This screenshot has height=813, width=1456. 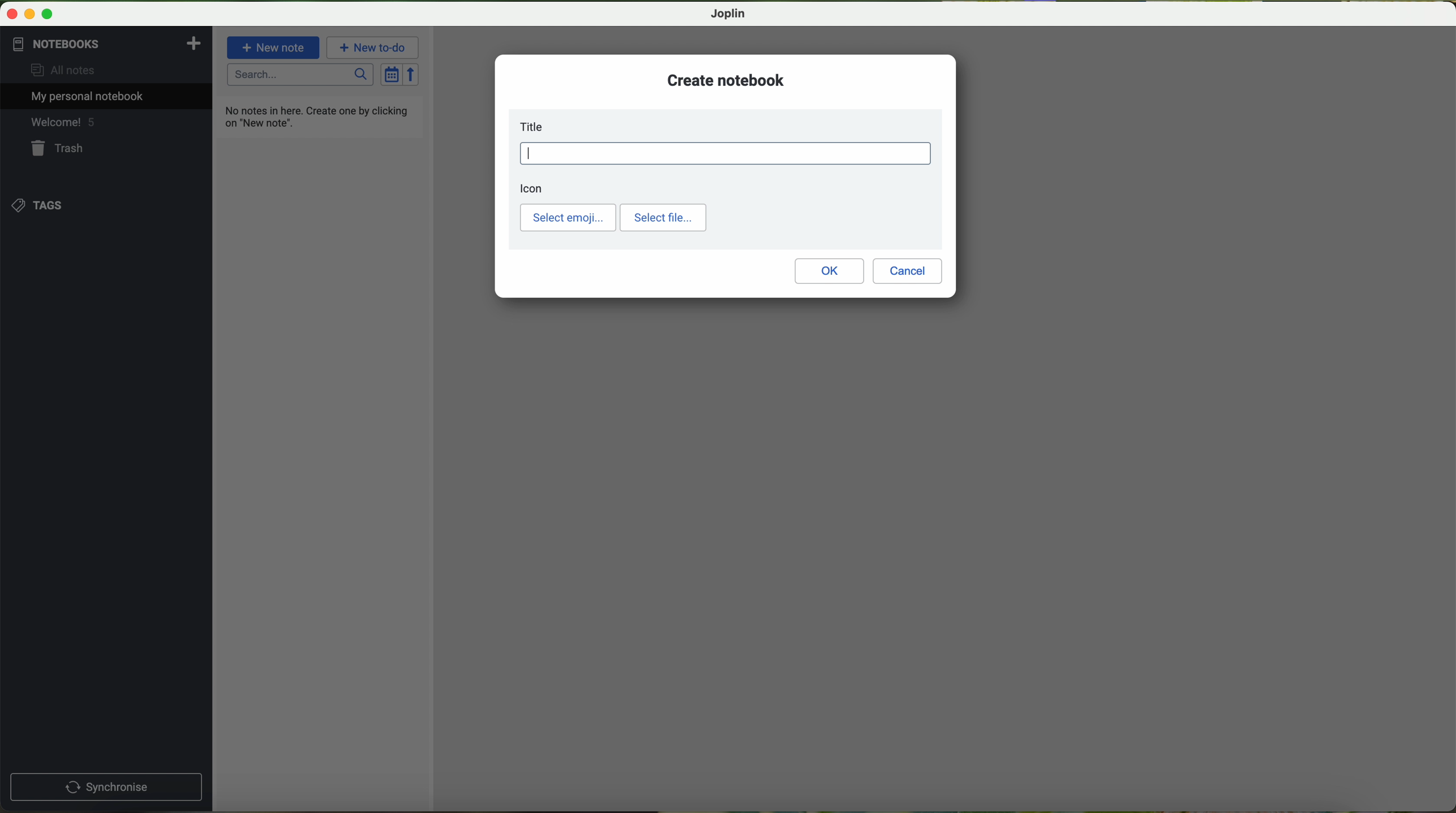 I want to click on synchronise button, so click(x=106, y=788).